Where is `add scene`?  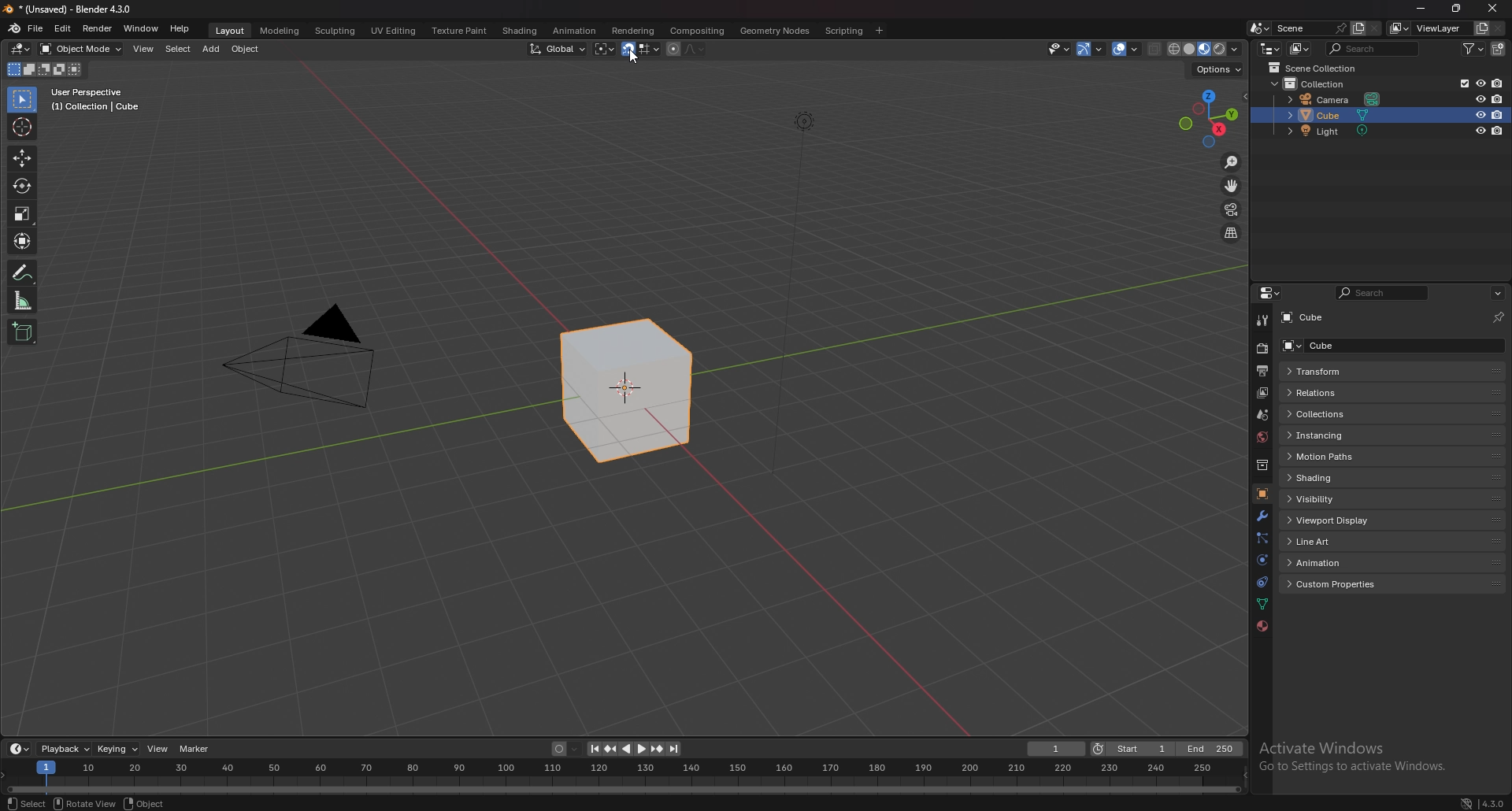
add scene is located at coordinates (1358, 28).